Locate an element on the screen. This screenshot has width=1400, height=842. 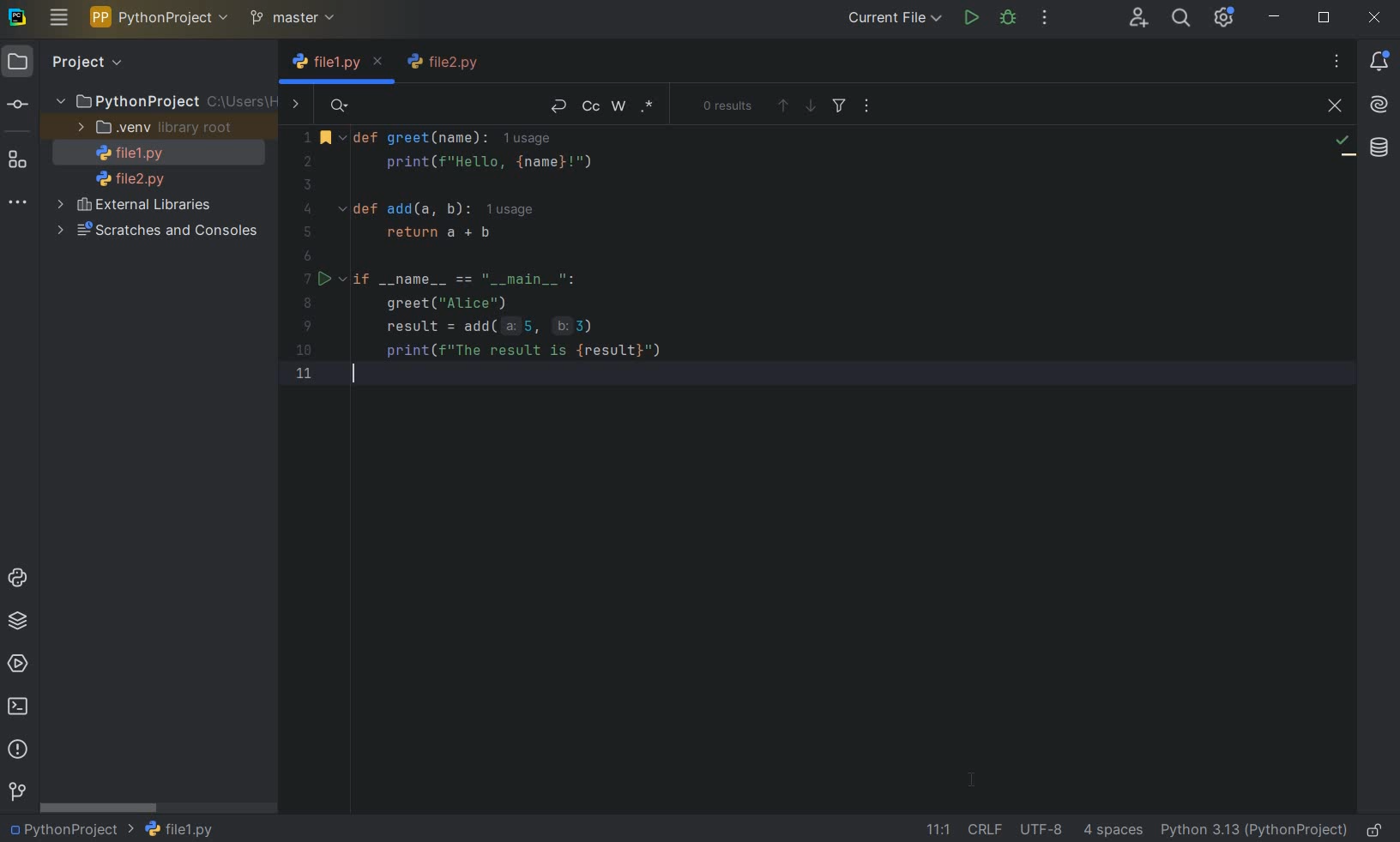
Code to greet user by name is located at coordinates (766, 257).